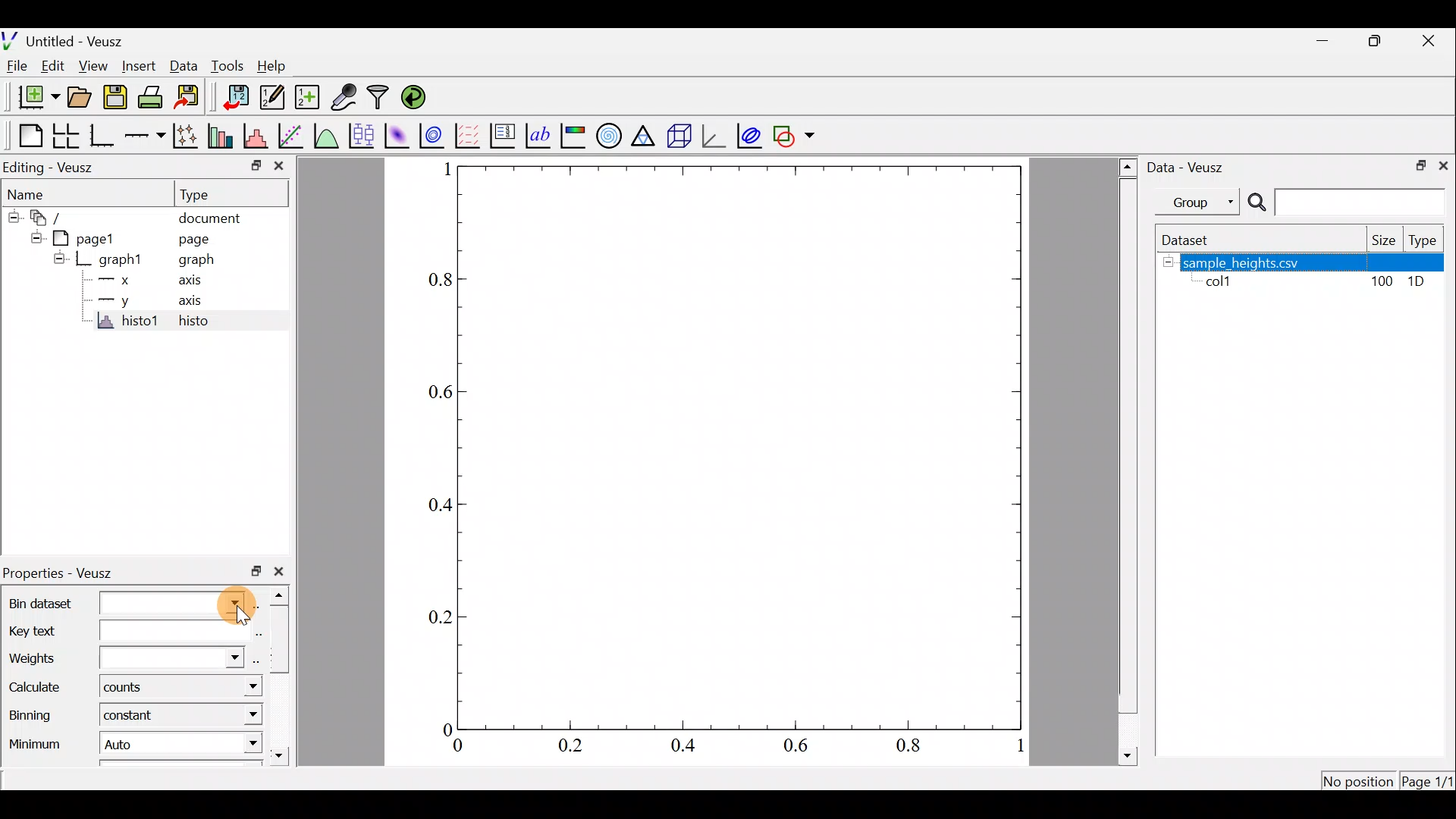 Image resolution: width=1456 pixels, height=819 pixels. I want to click on document, so click(212, 219).